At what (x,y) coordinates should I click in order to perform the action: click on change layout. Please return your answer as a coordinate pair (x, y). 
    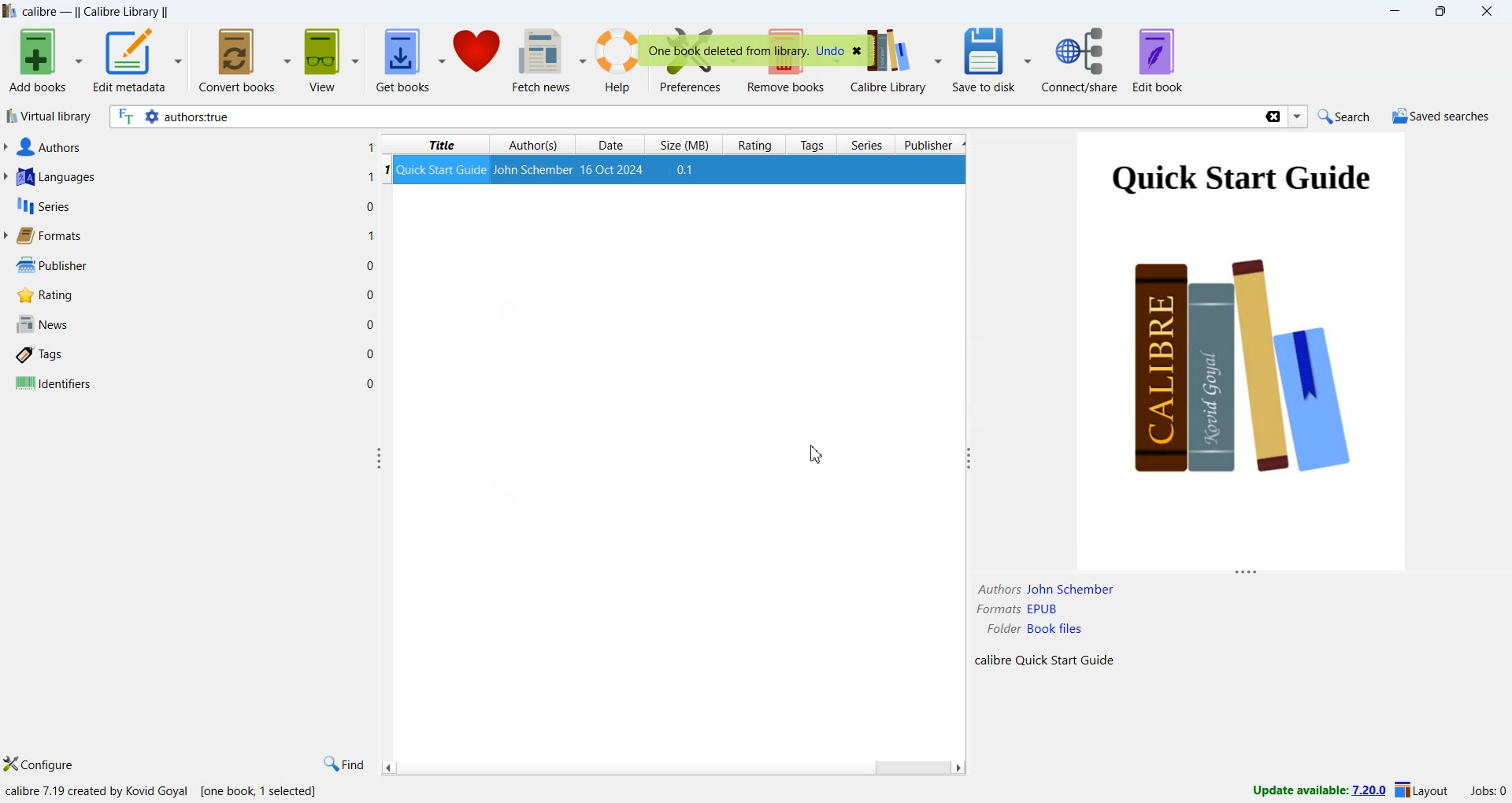
    Looking at the image, I should click on (1421, 793).